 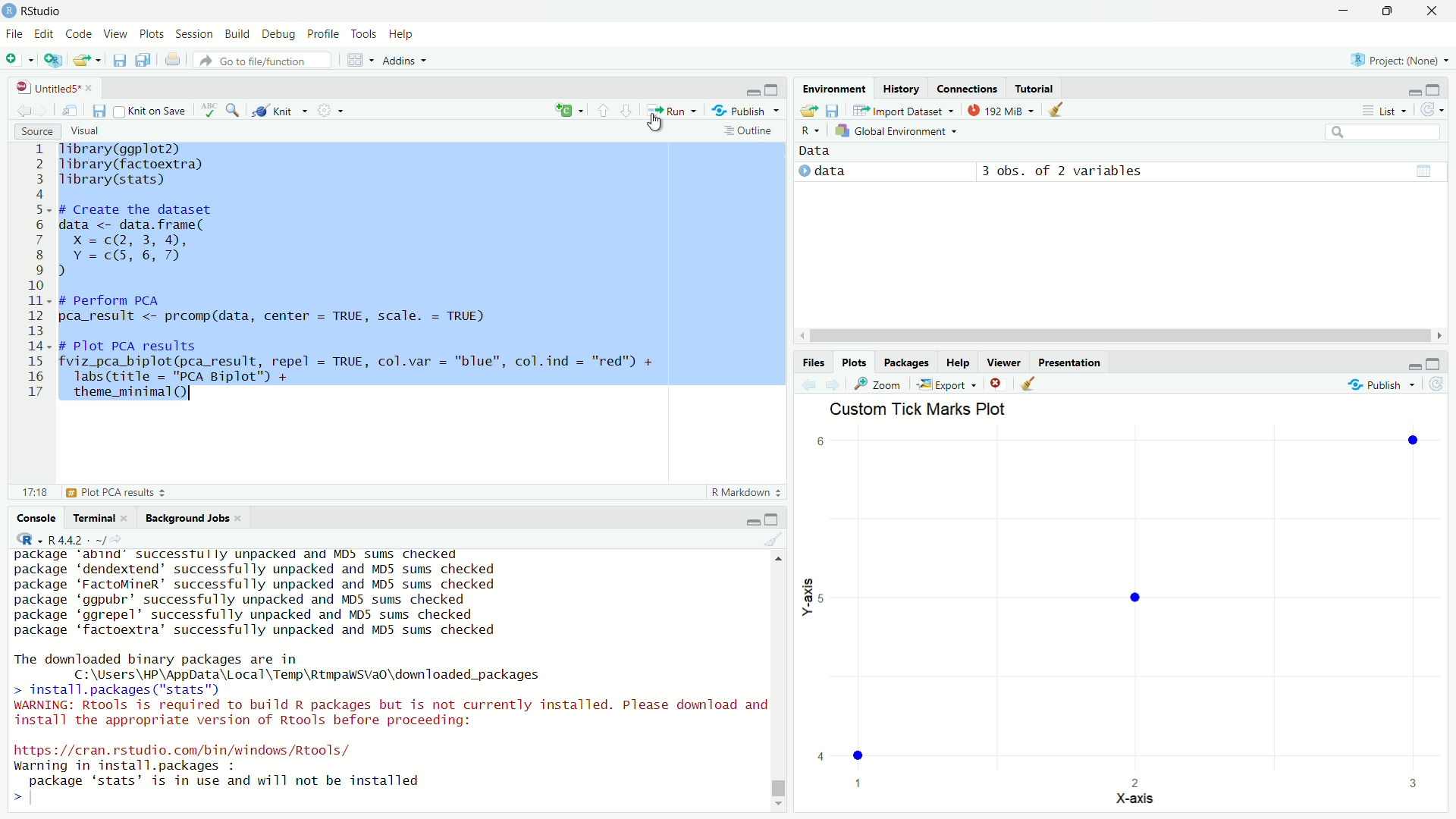 What do you see at coordinates (1001, 109) in the screenshot?
I see `memory usage` at bounding box center [1001, 109].